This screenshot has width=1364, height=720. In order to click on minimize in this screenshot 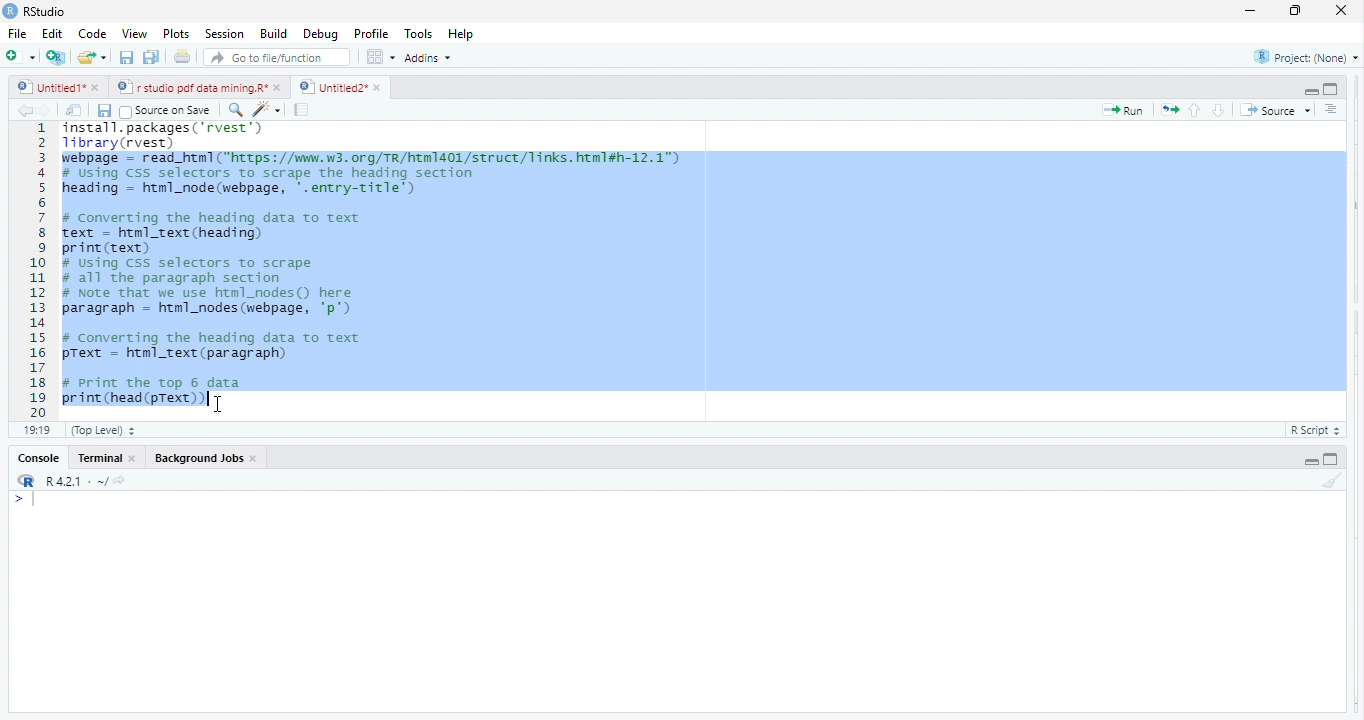, I will do `click(1292, 13)`.